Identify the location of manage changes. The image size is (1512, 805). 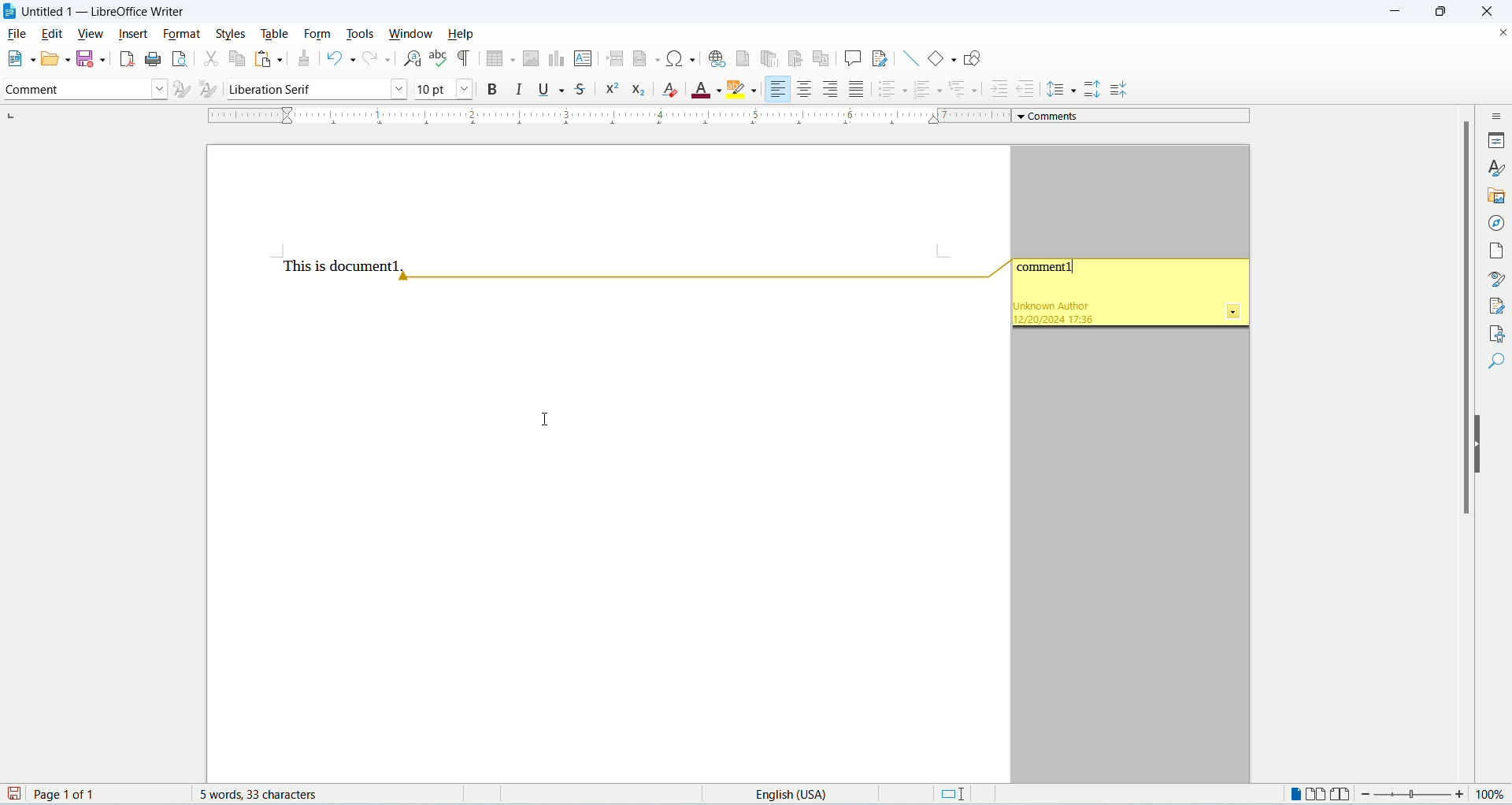
(1494, 306).